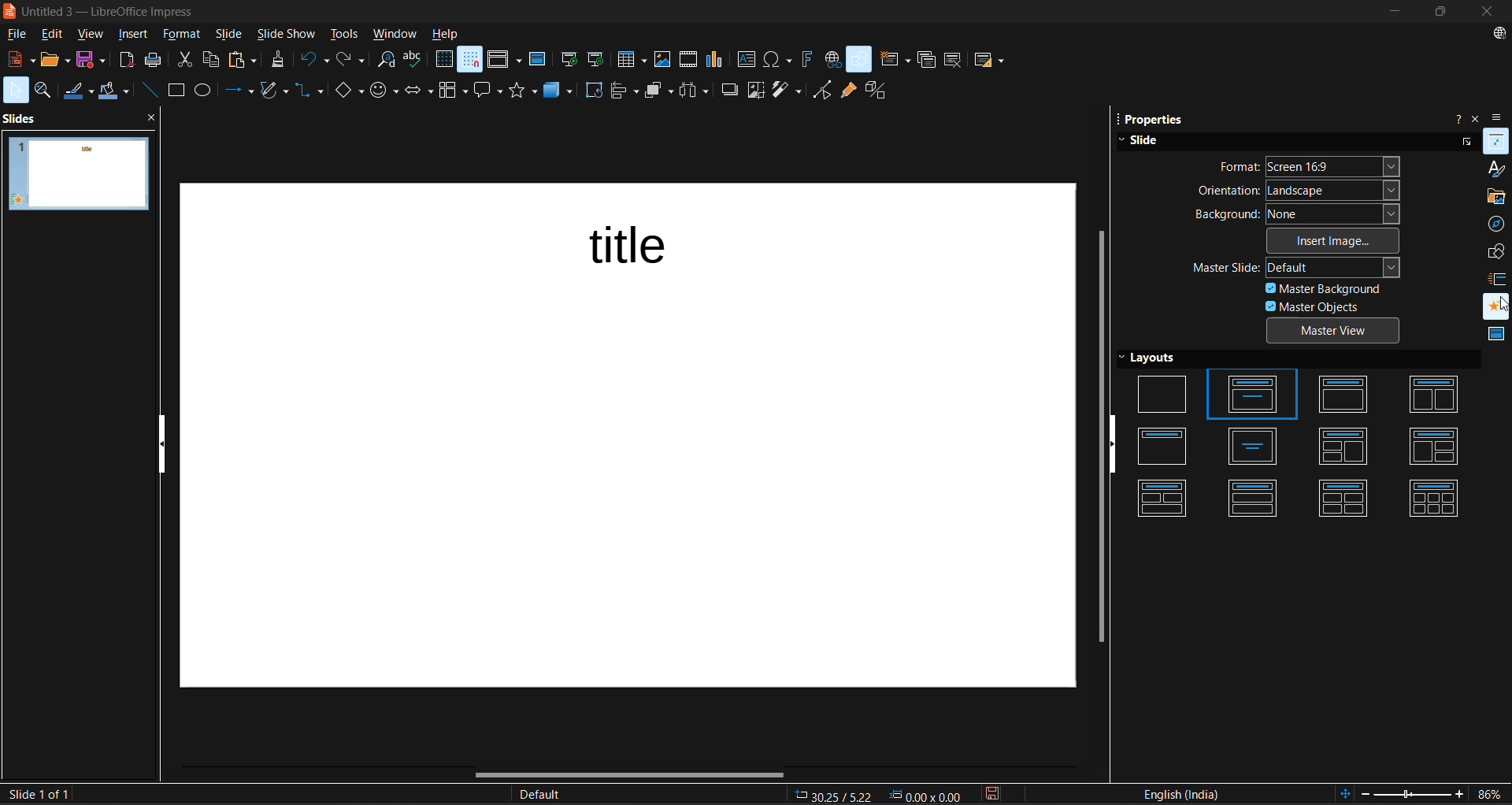 This screenshot has width=1512, height=805. Describe the element at coordinates (158, 60) in the screenshot. I see `print` at that location.